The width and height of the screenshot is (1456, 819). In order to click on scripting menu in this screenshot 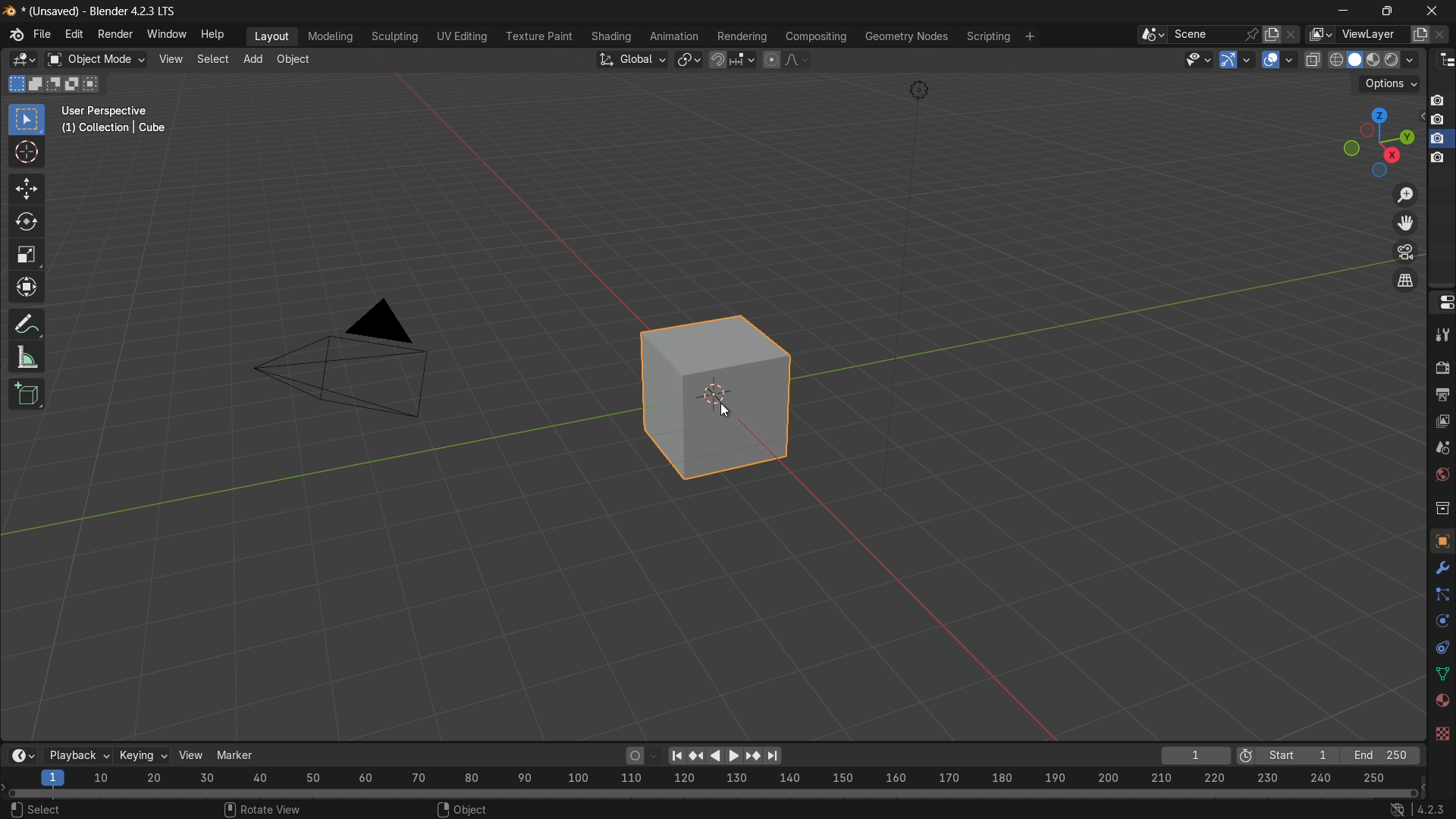, I will do `click(987, 36)`.